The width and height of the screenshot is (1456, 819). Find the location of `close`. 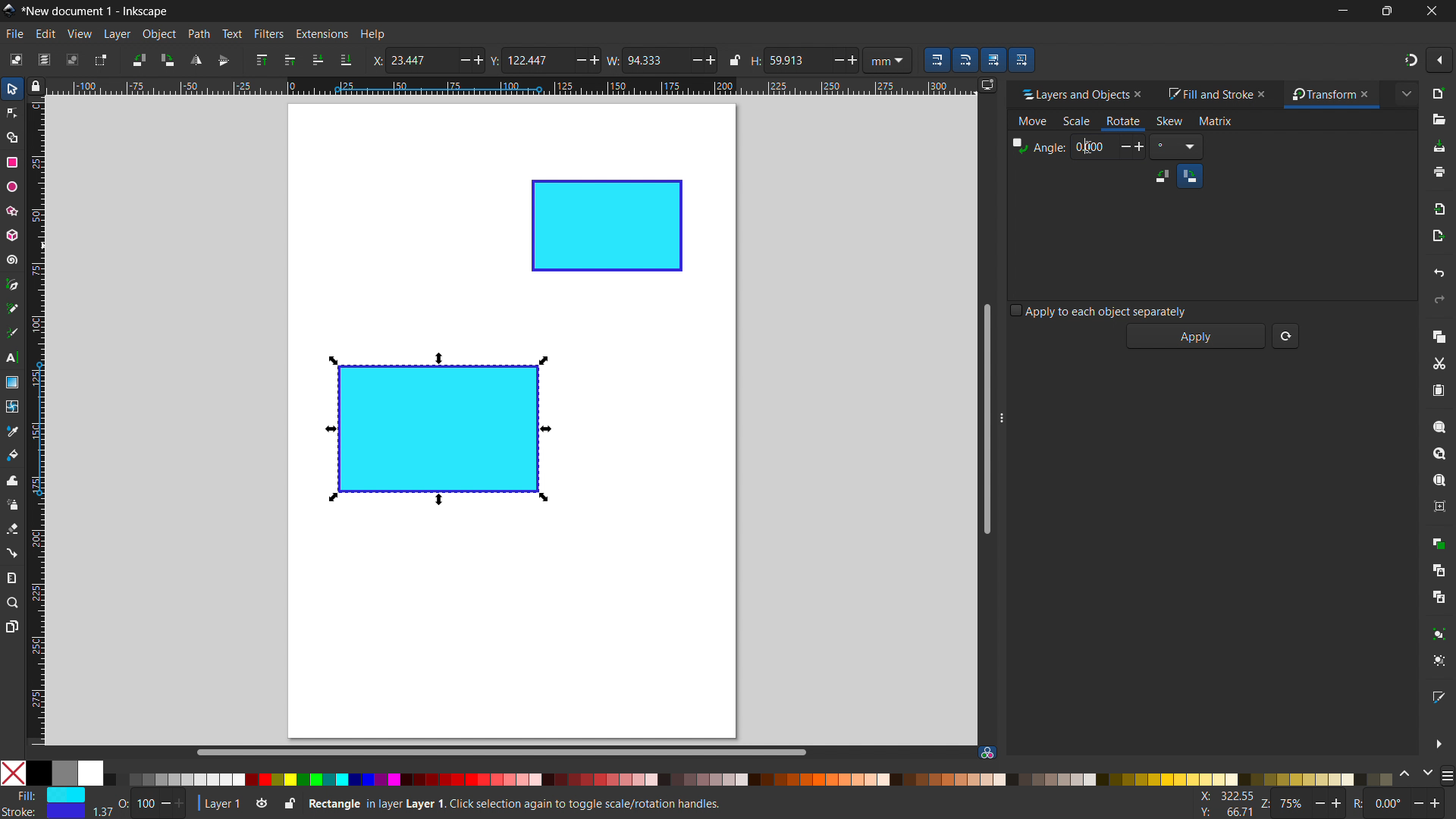

close is located at coordinates (1144, 94).